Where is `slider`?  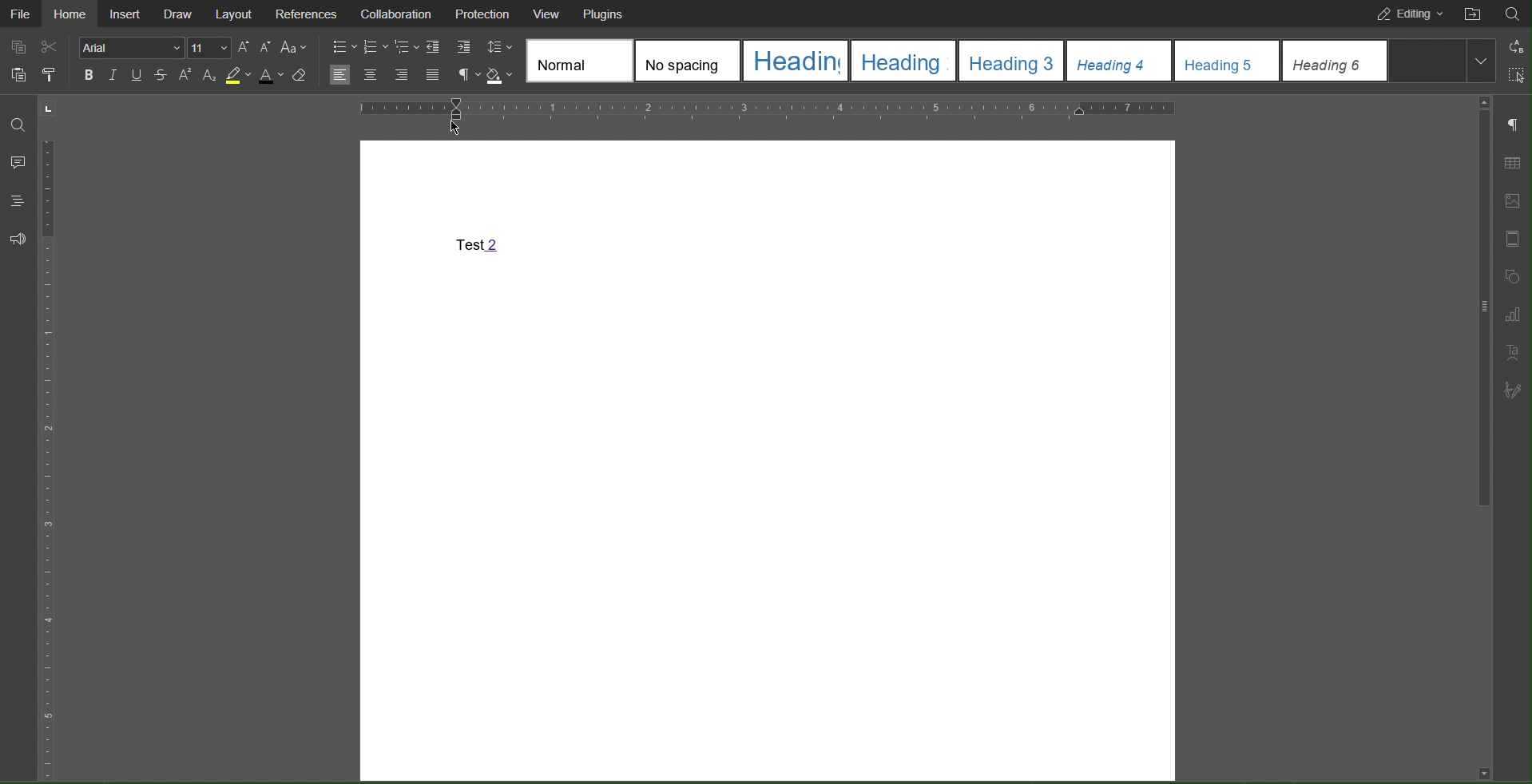
slider is located at coordinates (1476, 317).